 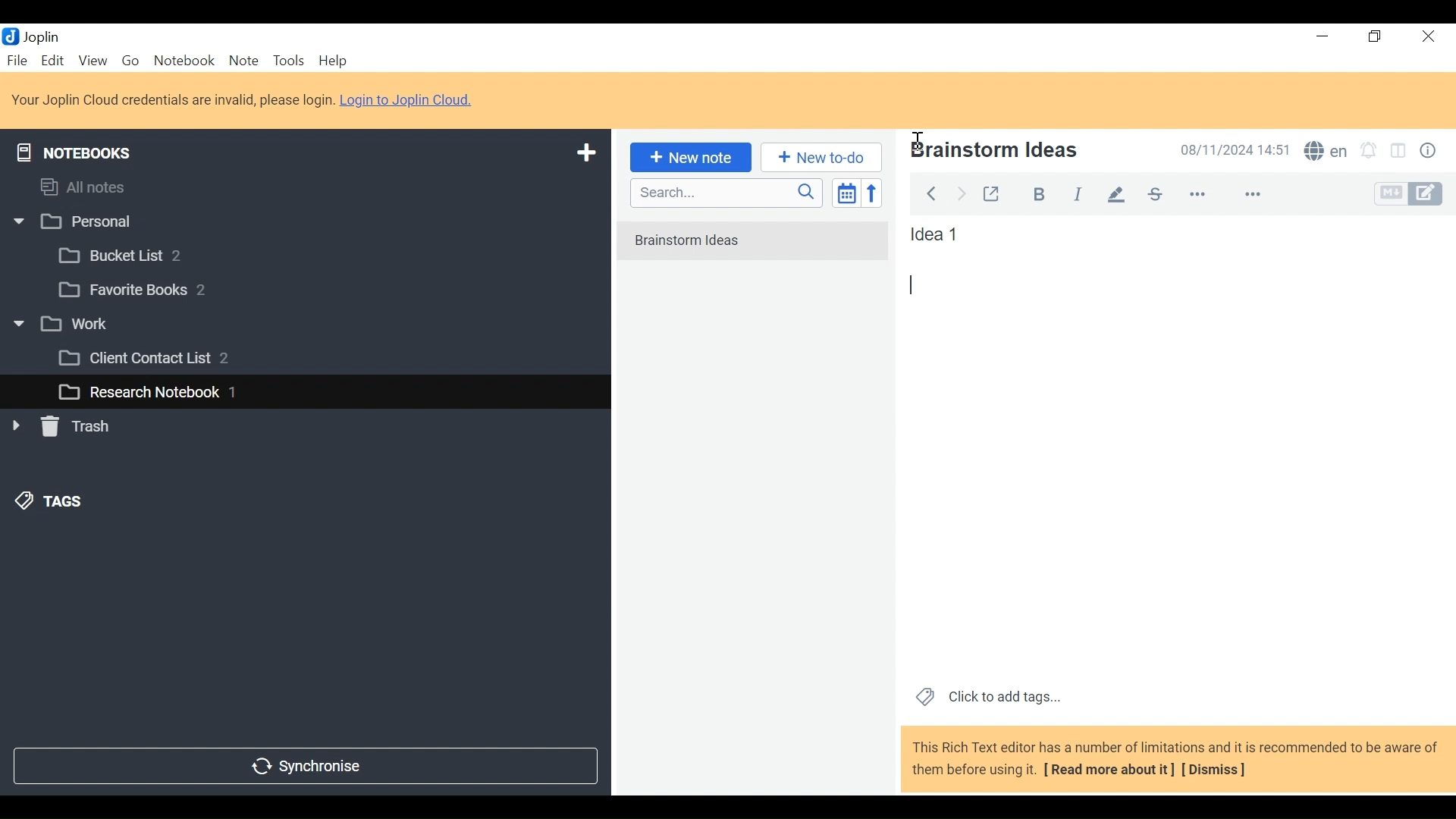 I want to click on All notes, so click(x=97, y=184).